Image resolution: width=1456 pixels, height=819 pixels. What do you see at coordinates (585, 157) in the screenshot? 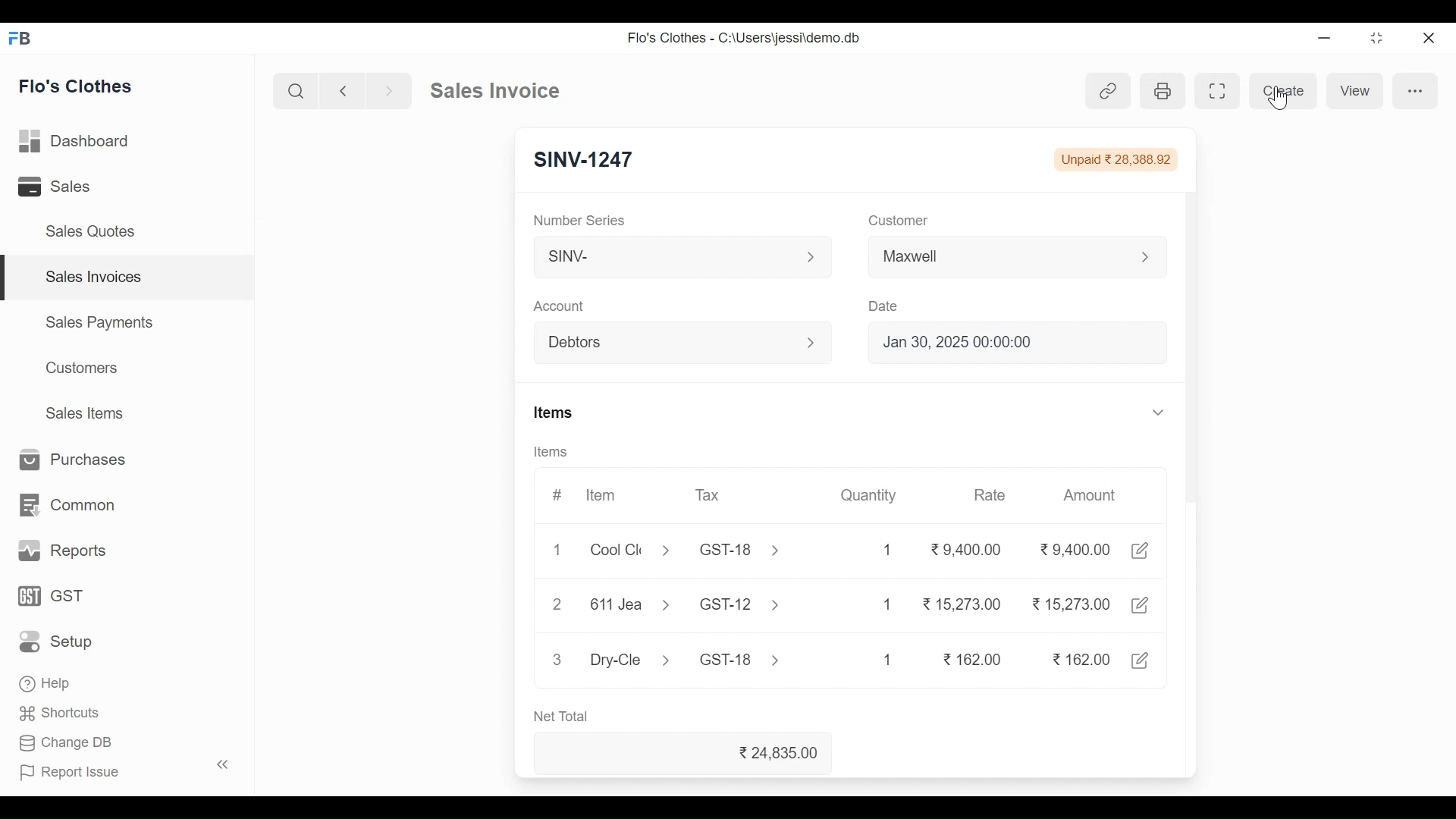
I see `SINV-1247` at bounding box center [585, 157].